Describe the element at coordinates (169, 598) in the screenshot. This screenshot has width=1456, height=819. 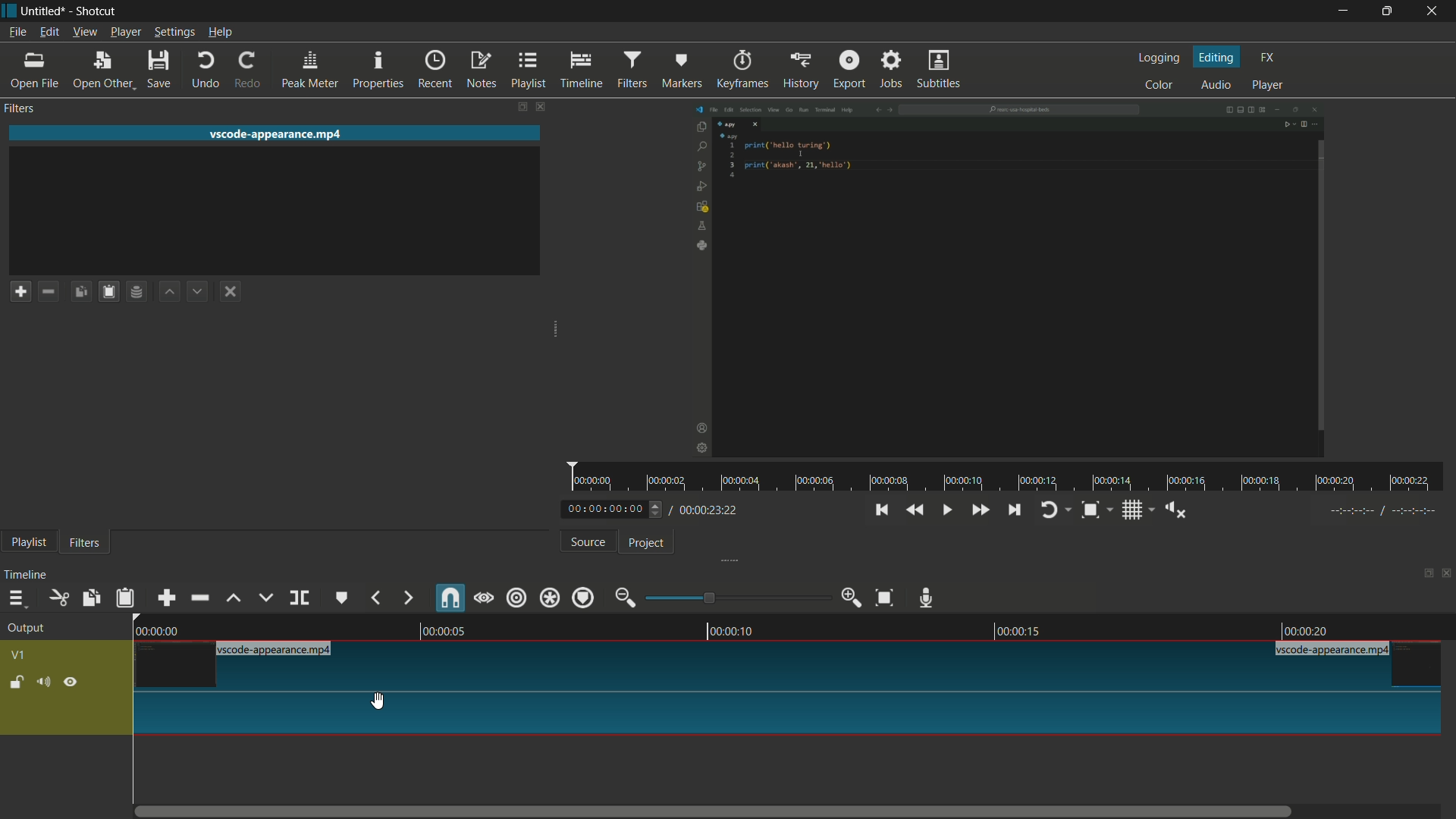
I see `append` at that location.